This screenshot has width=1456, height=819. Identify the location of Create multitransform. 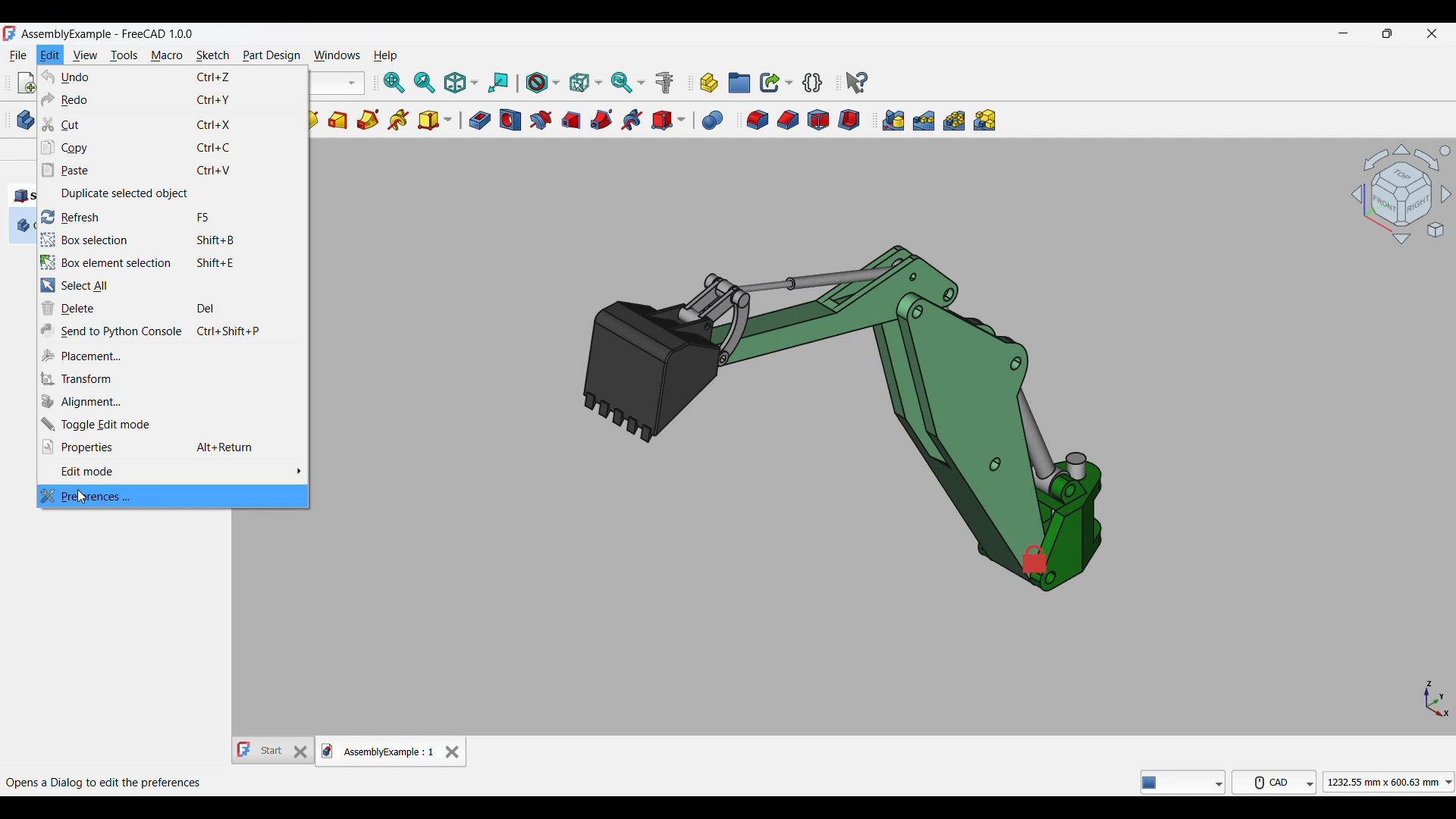
(985, 120).